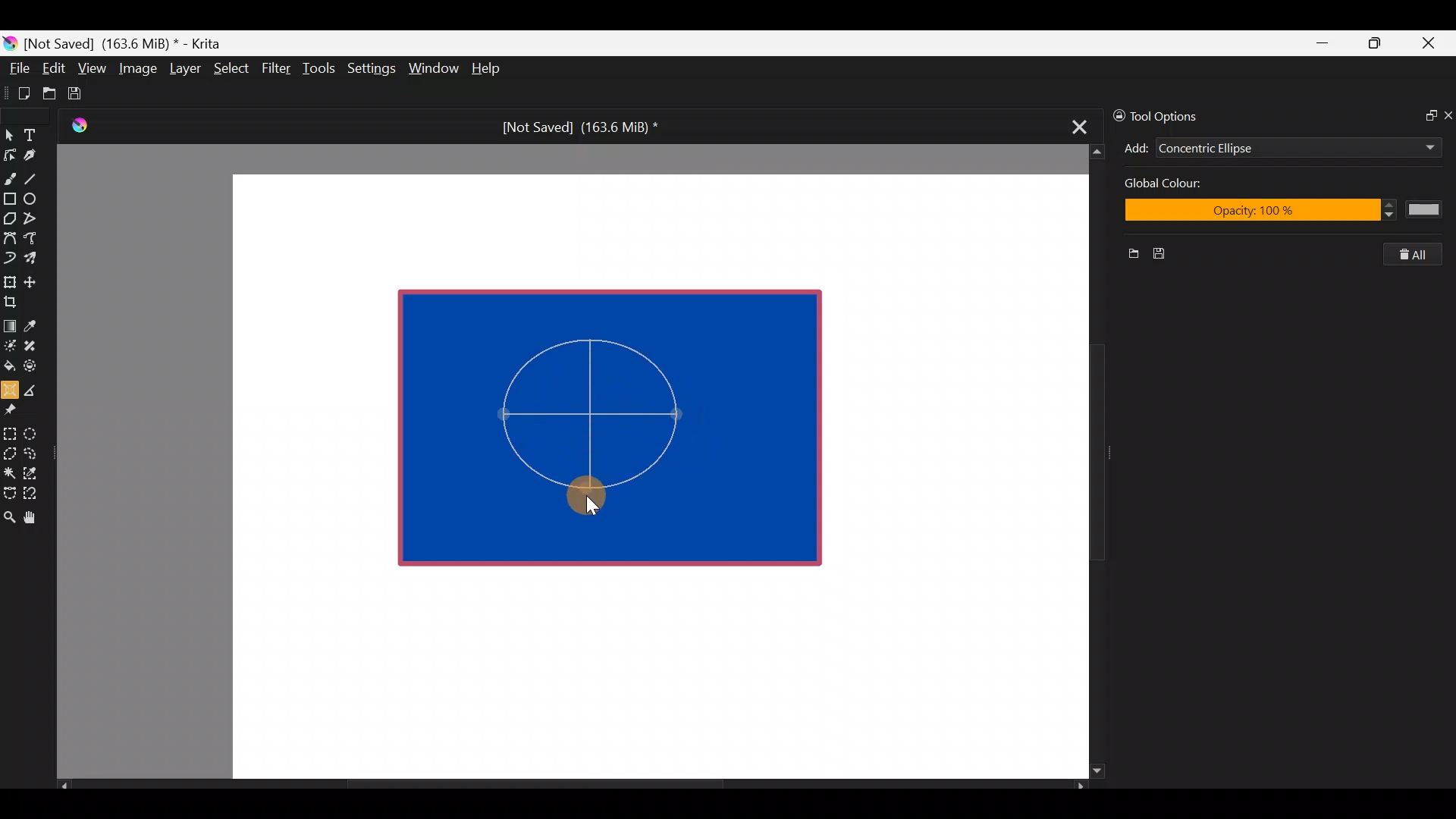 This screenshot has height=819, width=1456. What do you see at coordinates (50, 96) in the screenshot?
I see `Open an existing document` at bounding box center [50, 96].